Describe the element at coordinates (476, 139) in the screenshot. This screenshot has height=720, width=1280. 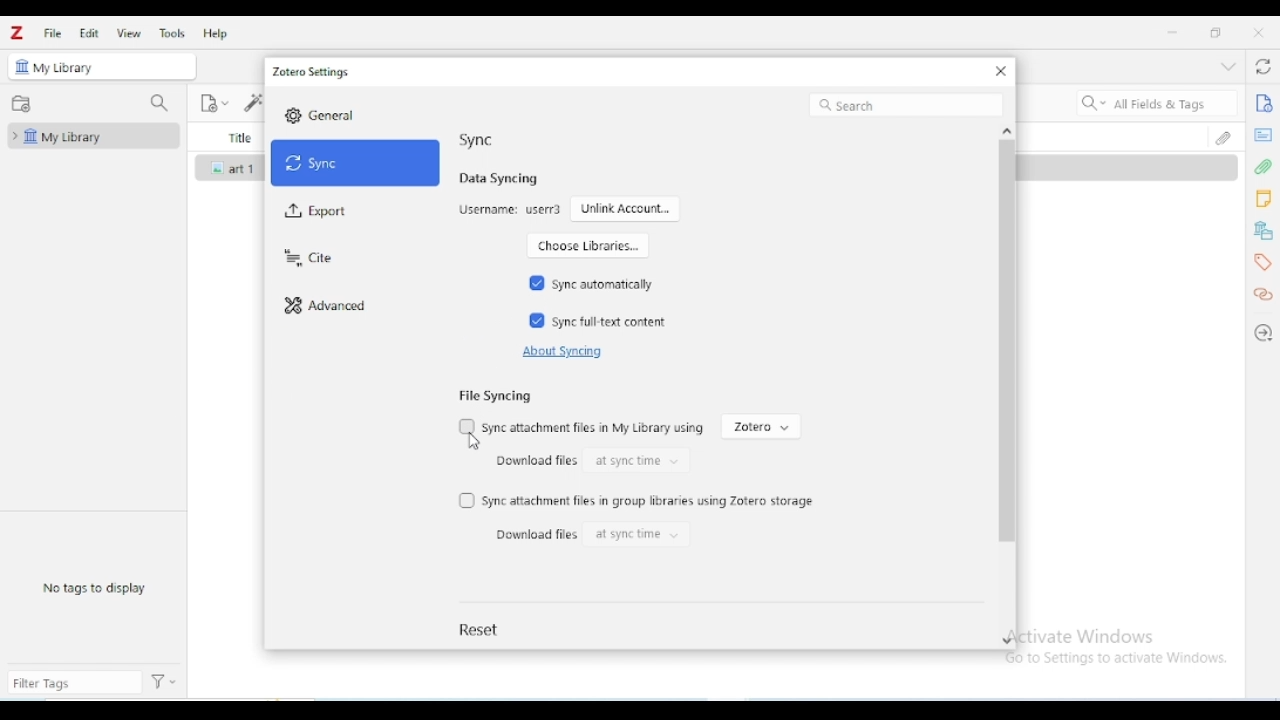
I see `sync` at that location.